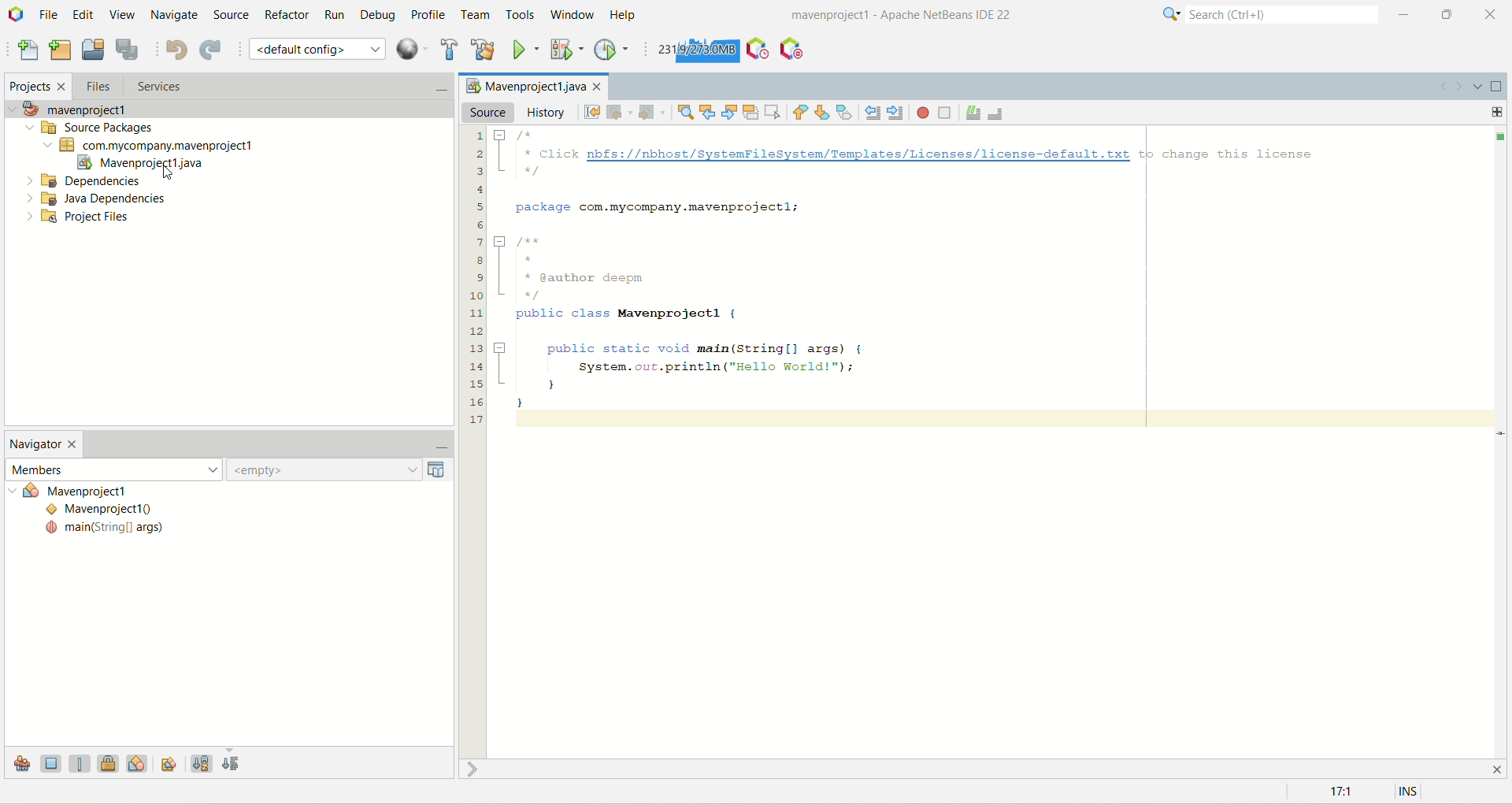 This screenshot has height=805, width=1512. Describe the element at coordinates (1447, 14) in the screenshot. I see `maximize` at that location.